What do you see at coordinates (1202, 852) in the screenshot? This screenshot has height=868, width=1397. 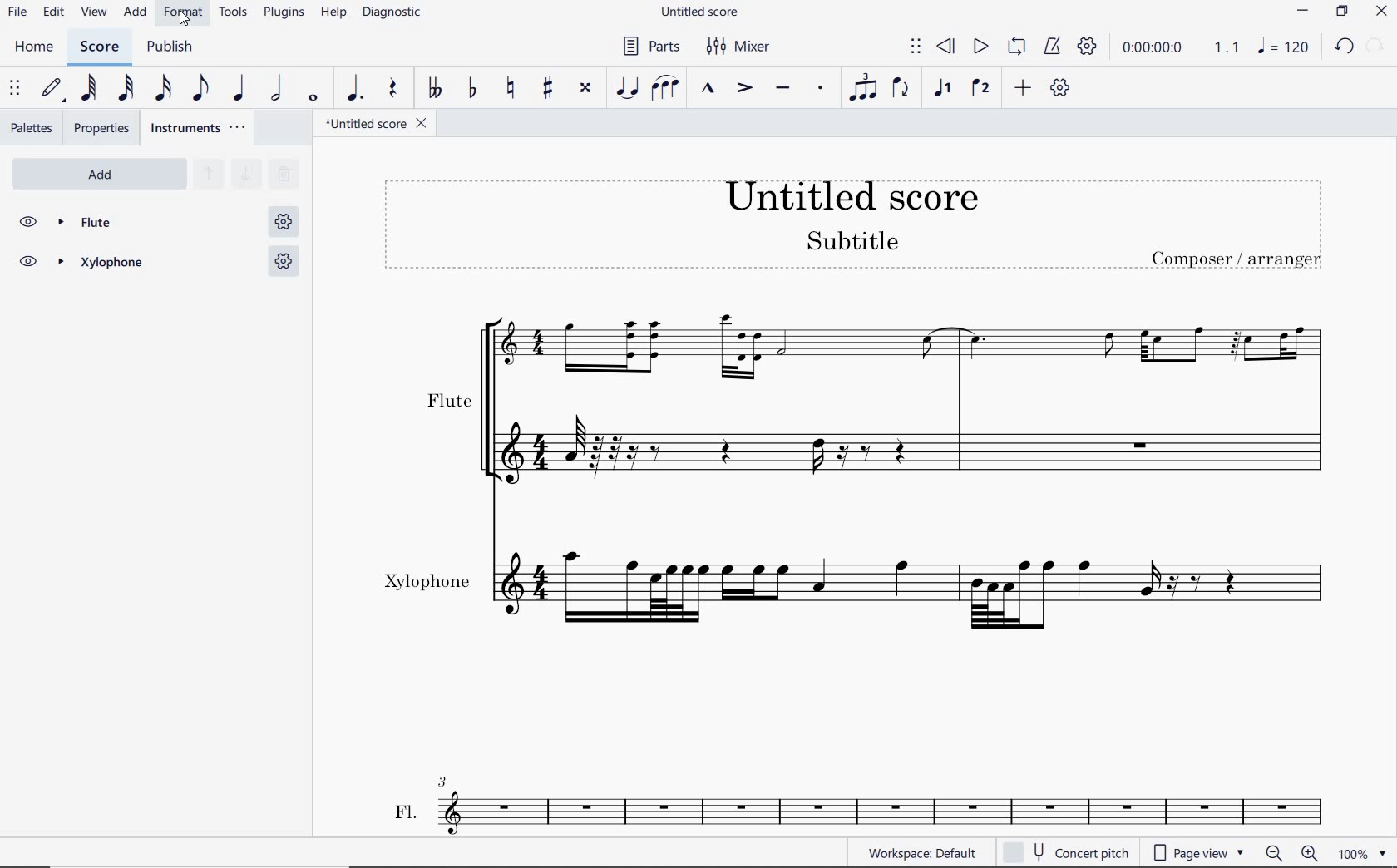 I see `PAGE VIEW` at bounding box center [1202, 852].